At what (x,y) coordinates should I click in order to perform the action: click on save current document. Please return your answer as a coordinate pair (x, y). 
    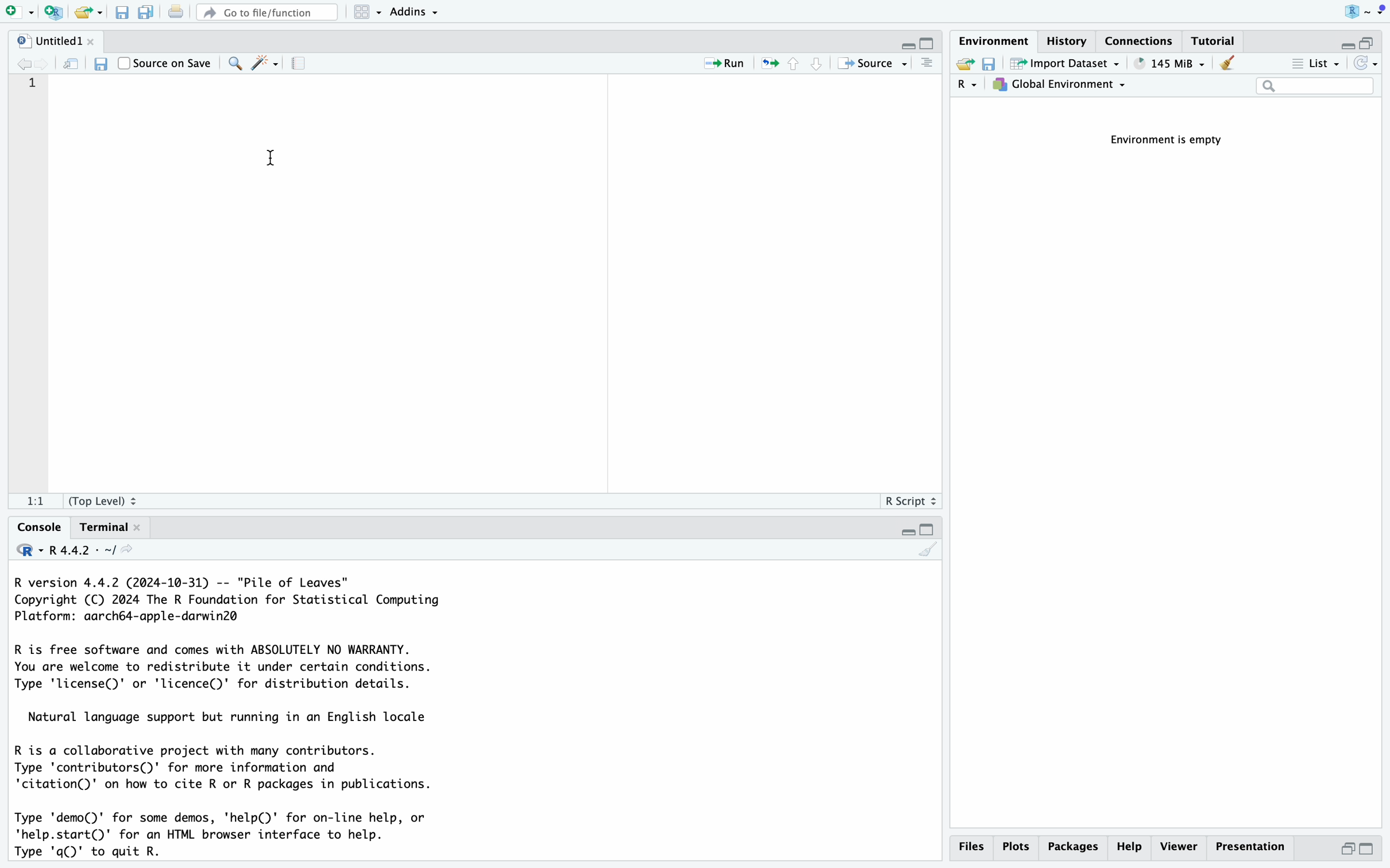
    Looking at the image, I should click on (123, 12).